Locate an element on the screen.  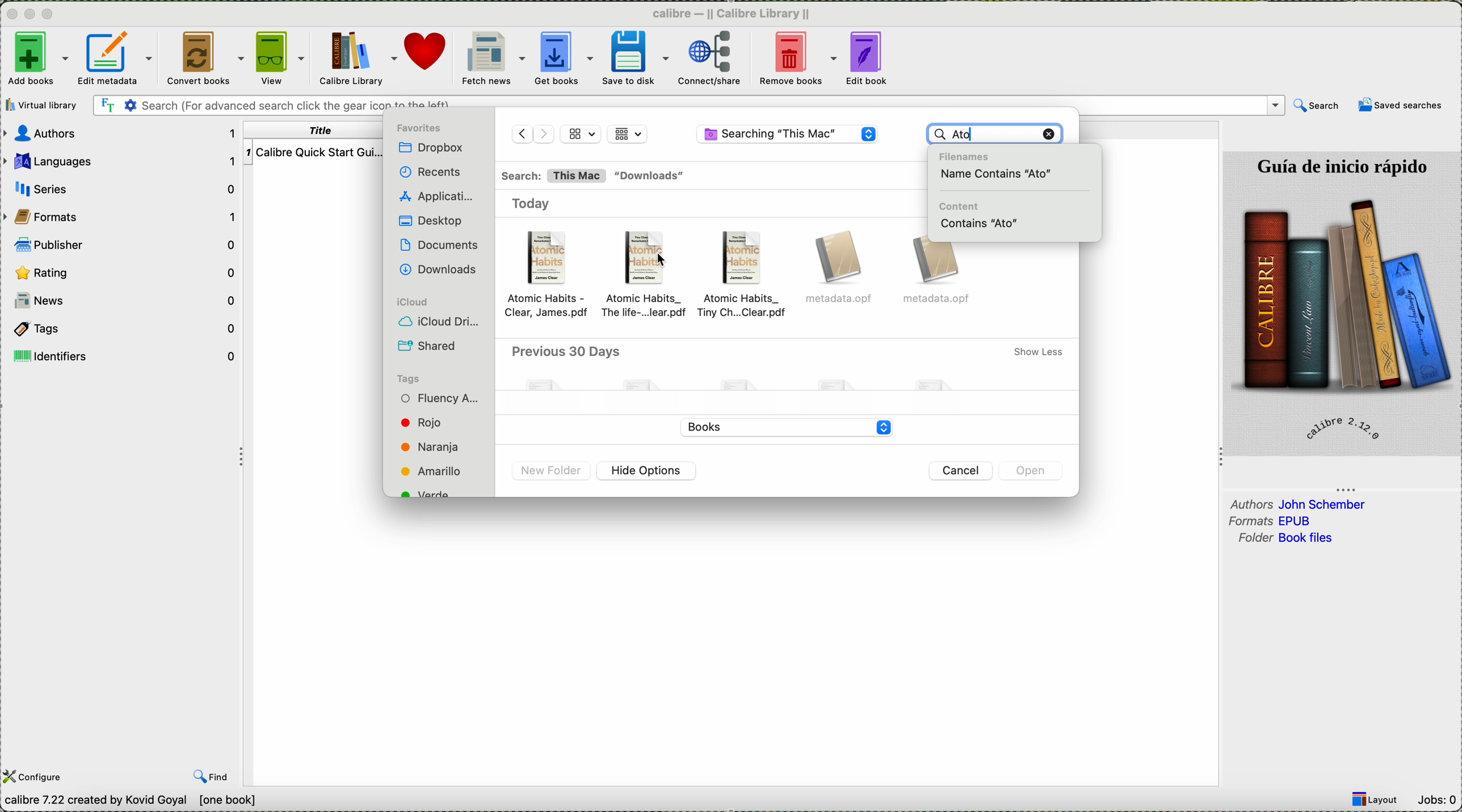
series is located at coordinates (123, 188).